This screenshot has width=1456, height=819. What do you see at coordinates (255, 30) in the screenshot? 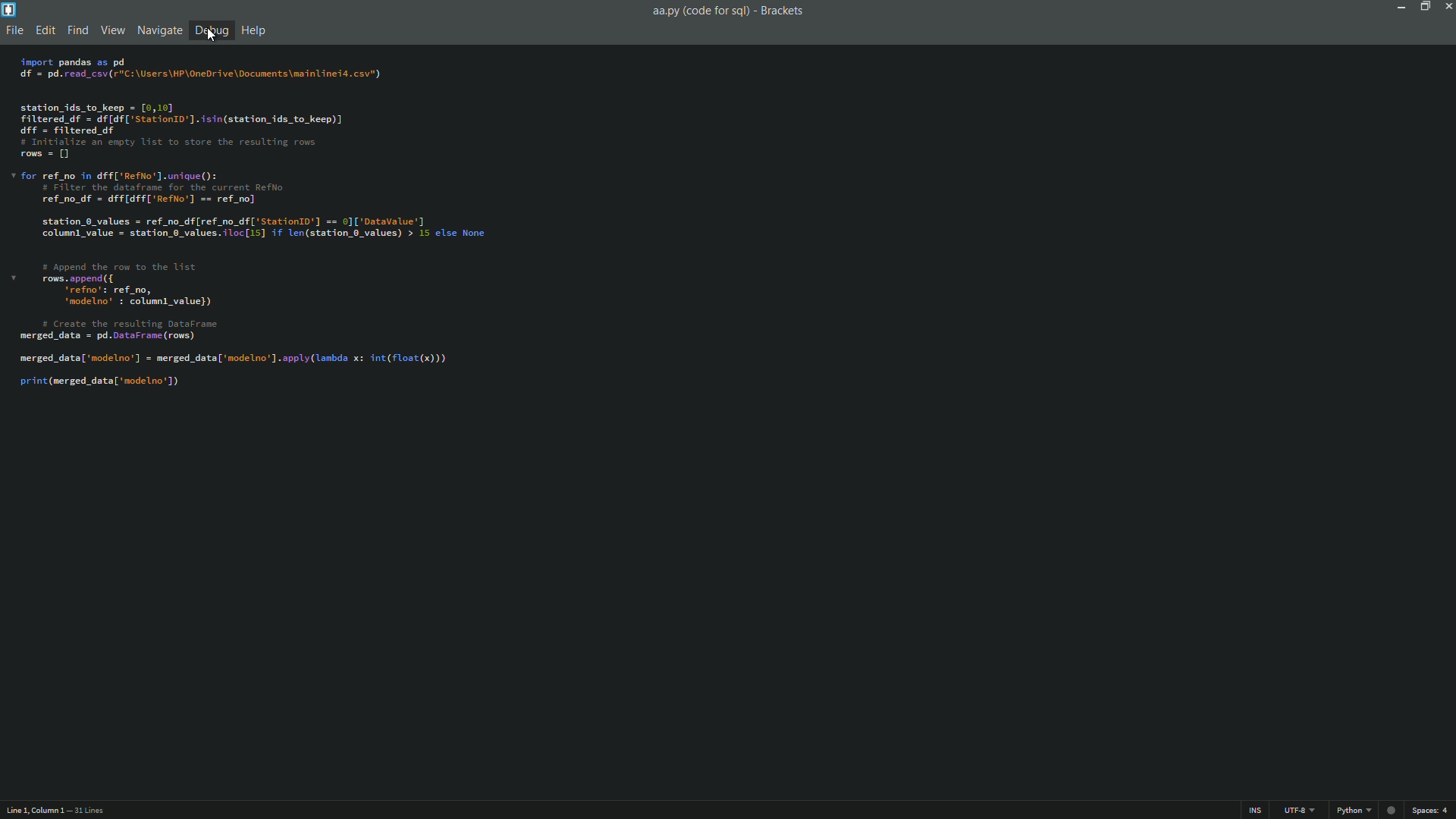
I see `help menu` at bounding box center [255, 30].